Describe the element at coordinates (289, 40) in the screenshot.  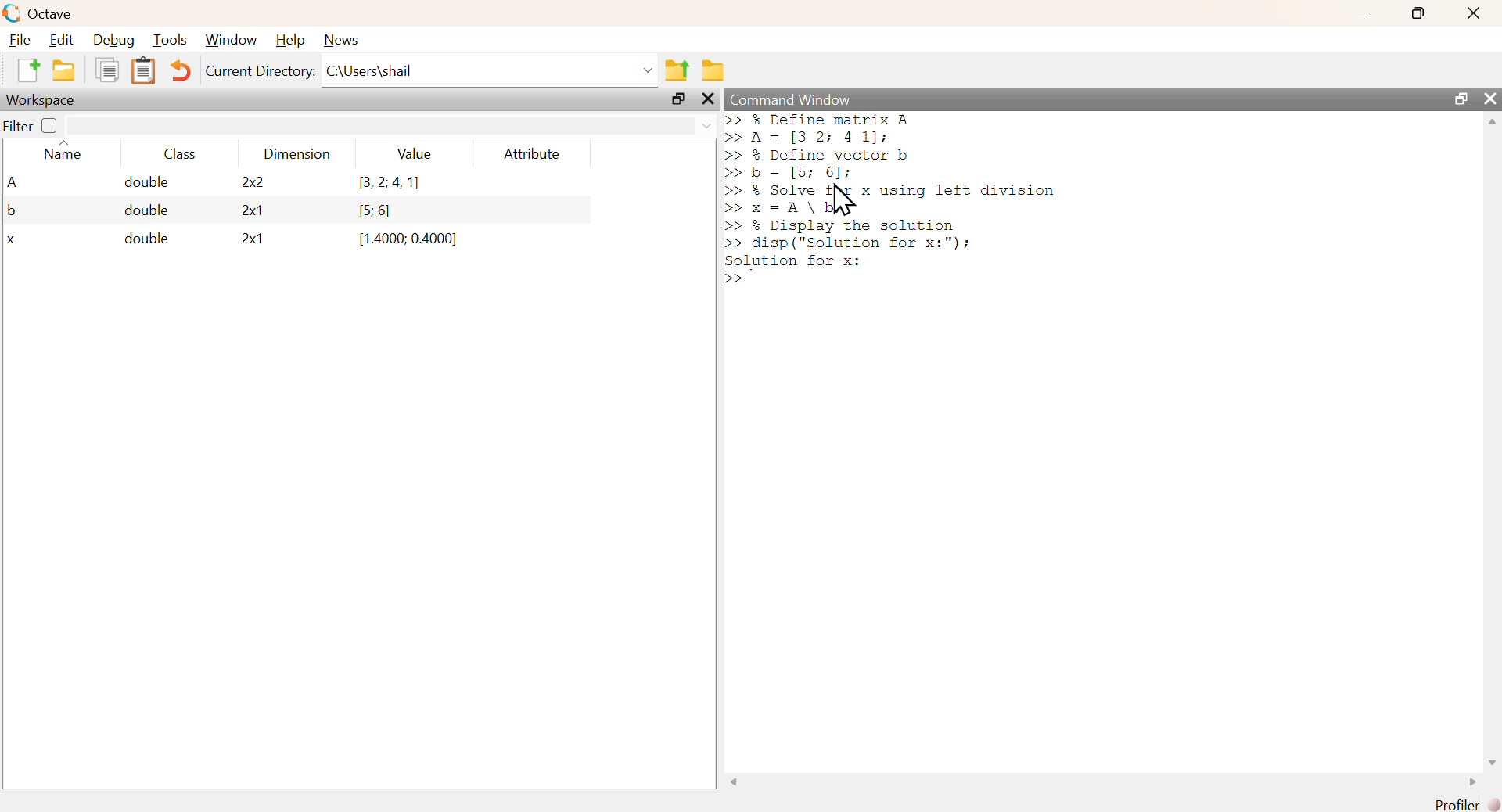
I see `help` at that location.